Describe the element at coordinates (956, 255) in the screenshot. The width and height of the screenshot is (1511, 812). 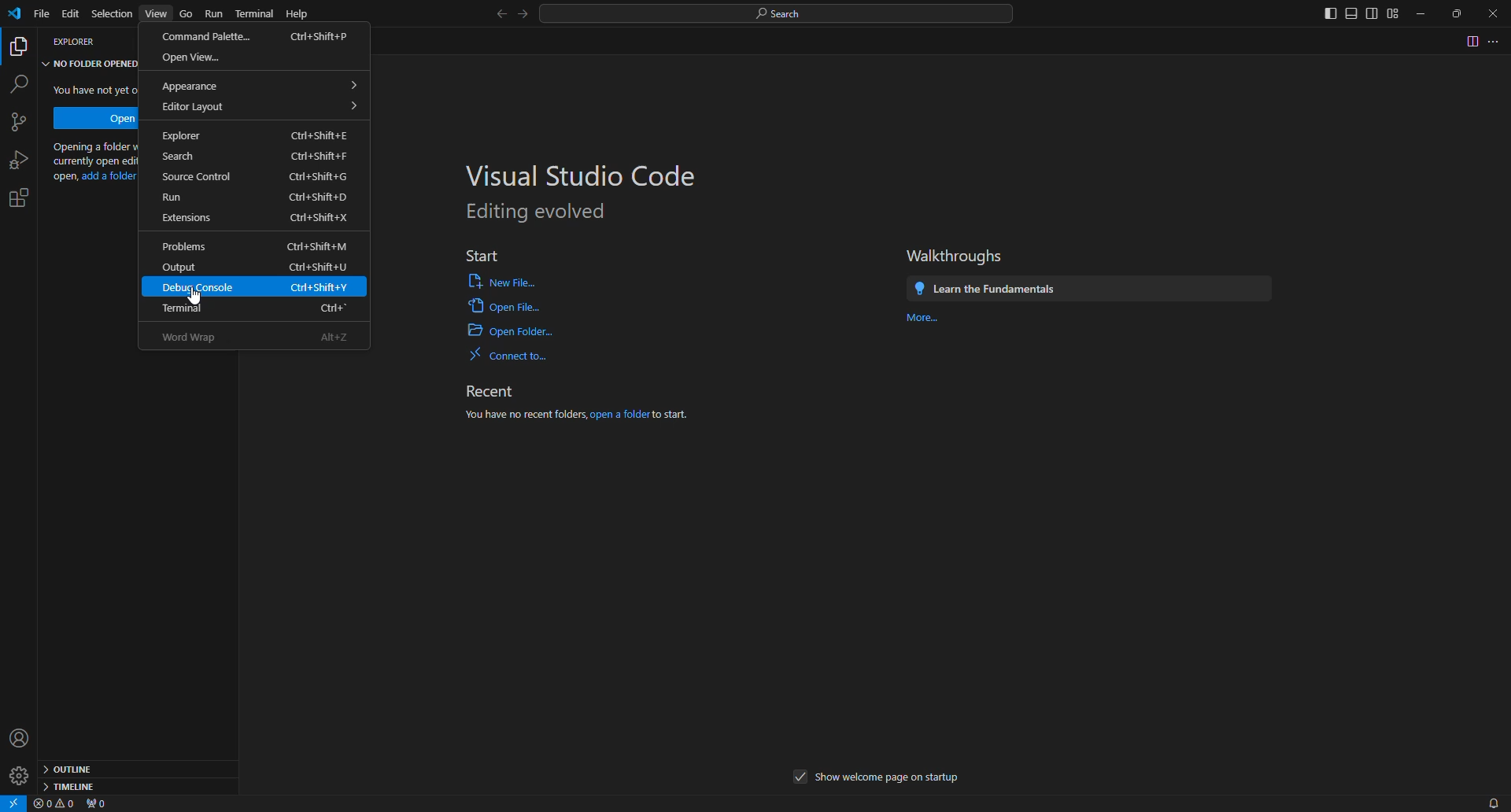
I see `Walkthroughs` at that location.